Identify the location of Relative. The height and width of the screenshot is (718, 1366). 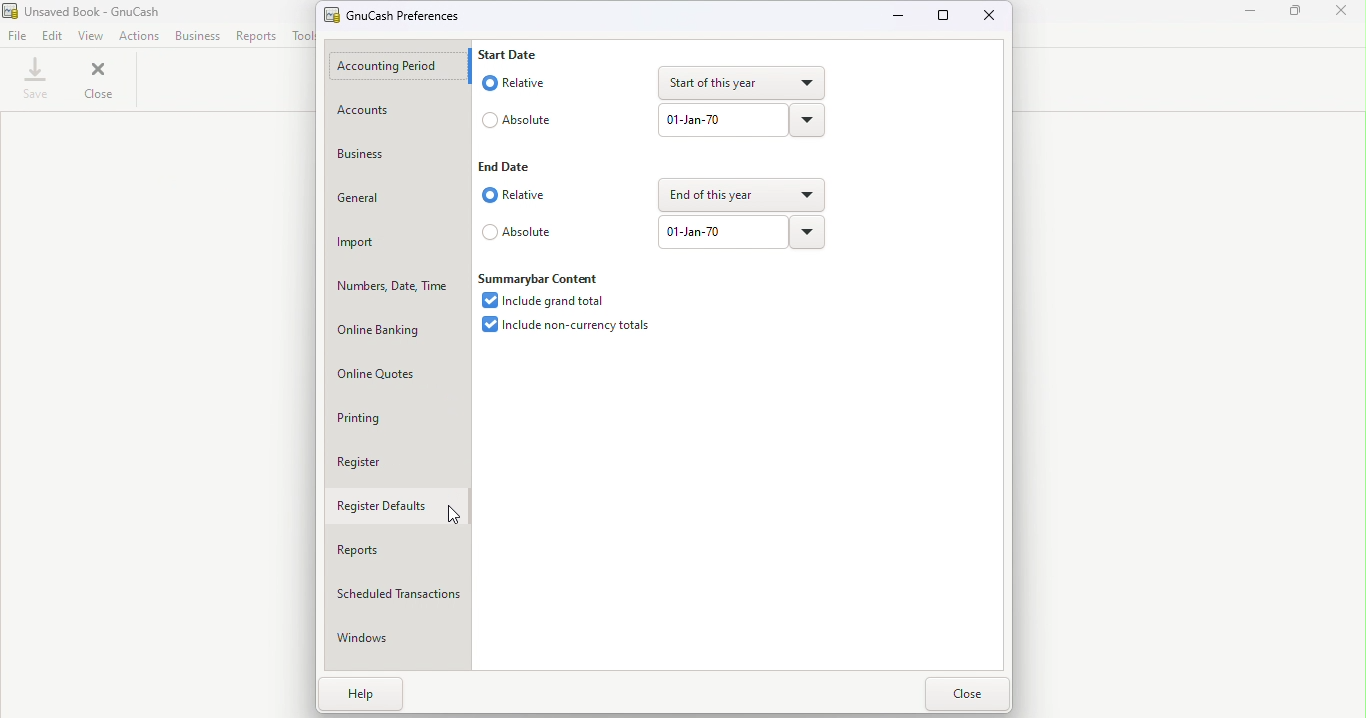
(516, 197).